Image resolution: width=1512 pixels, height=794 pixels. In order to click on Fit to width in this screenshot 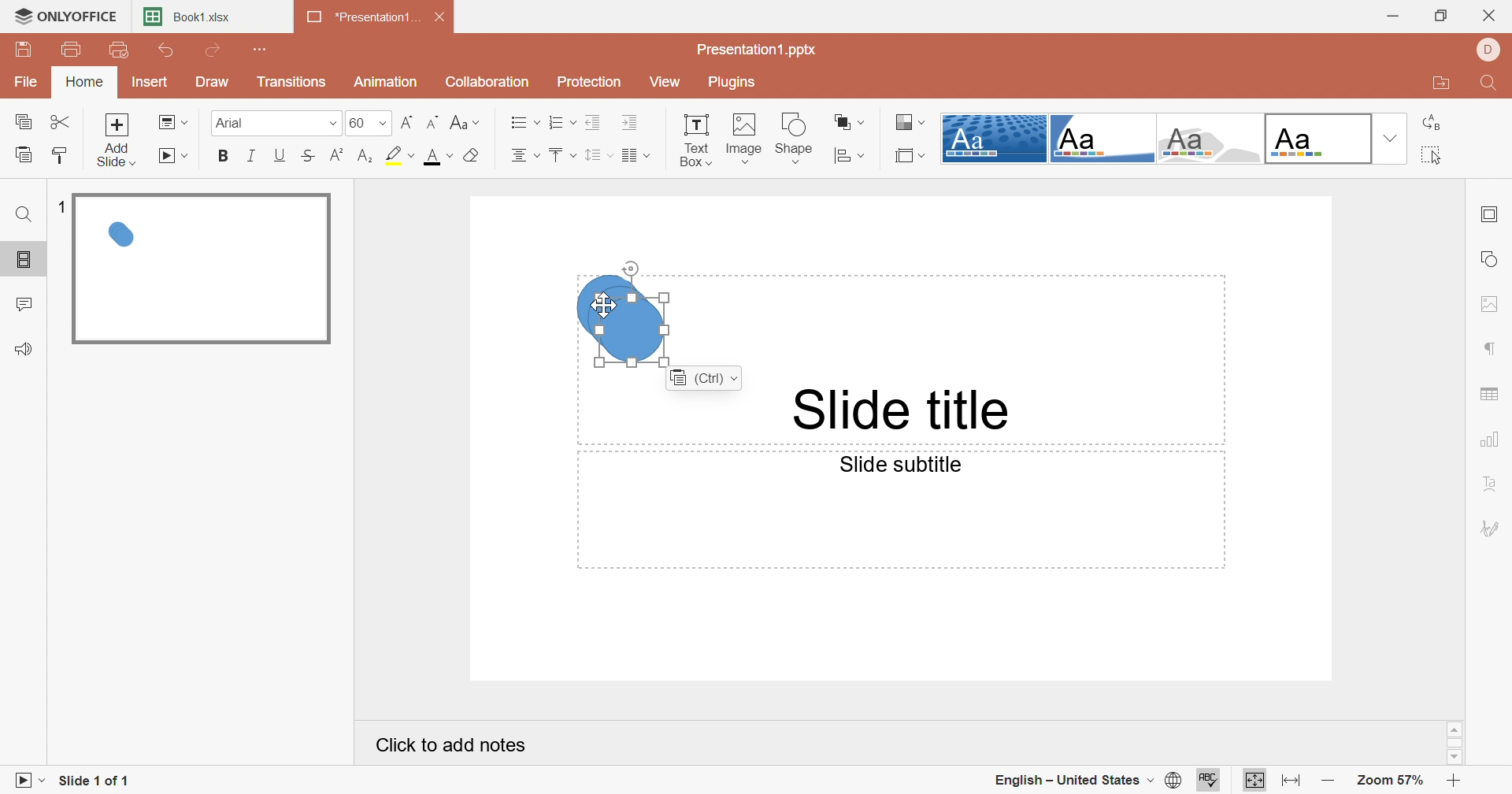, I will do `click(1291, 783)`.